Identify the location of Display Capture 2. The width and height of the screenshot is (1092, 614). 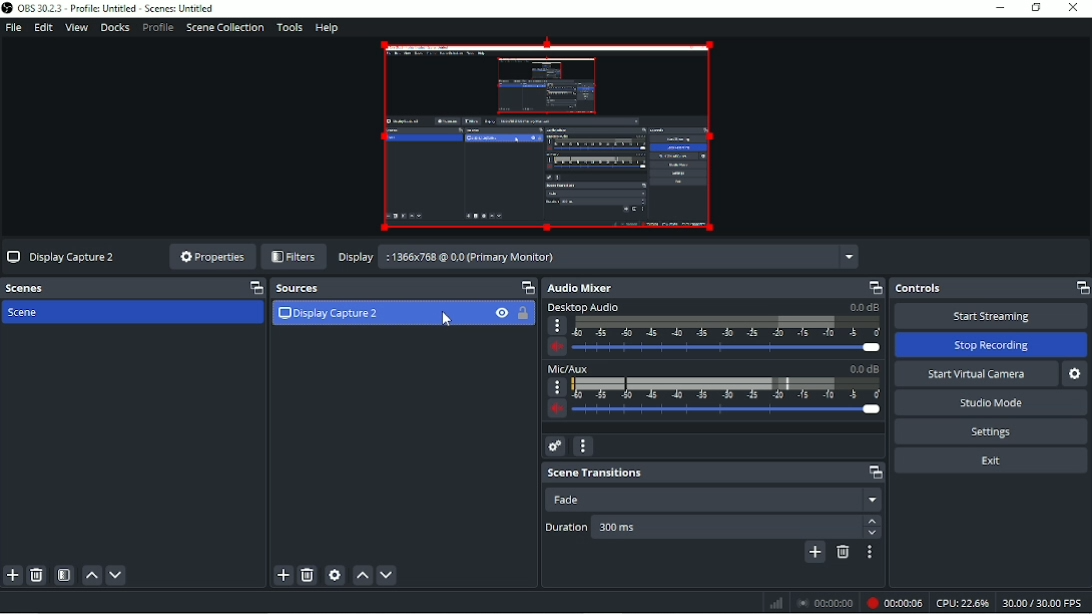
(329, 315).